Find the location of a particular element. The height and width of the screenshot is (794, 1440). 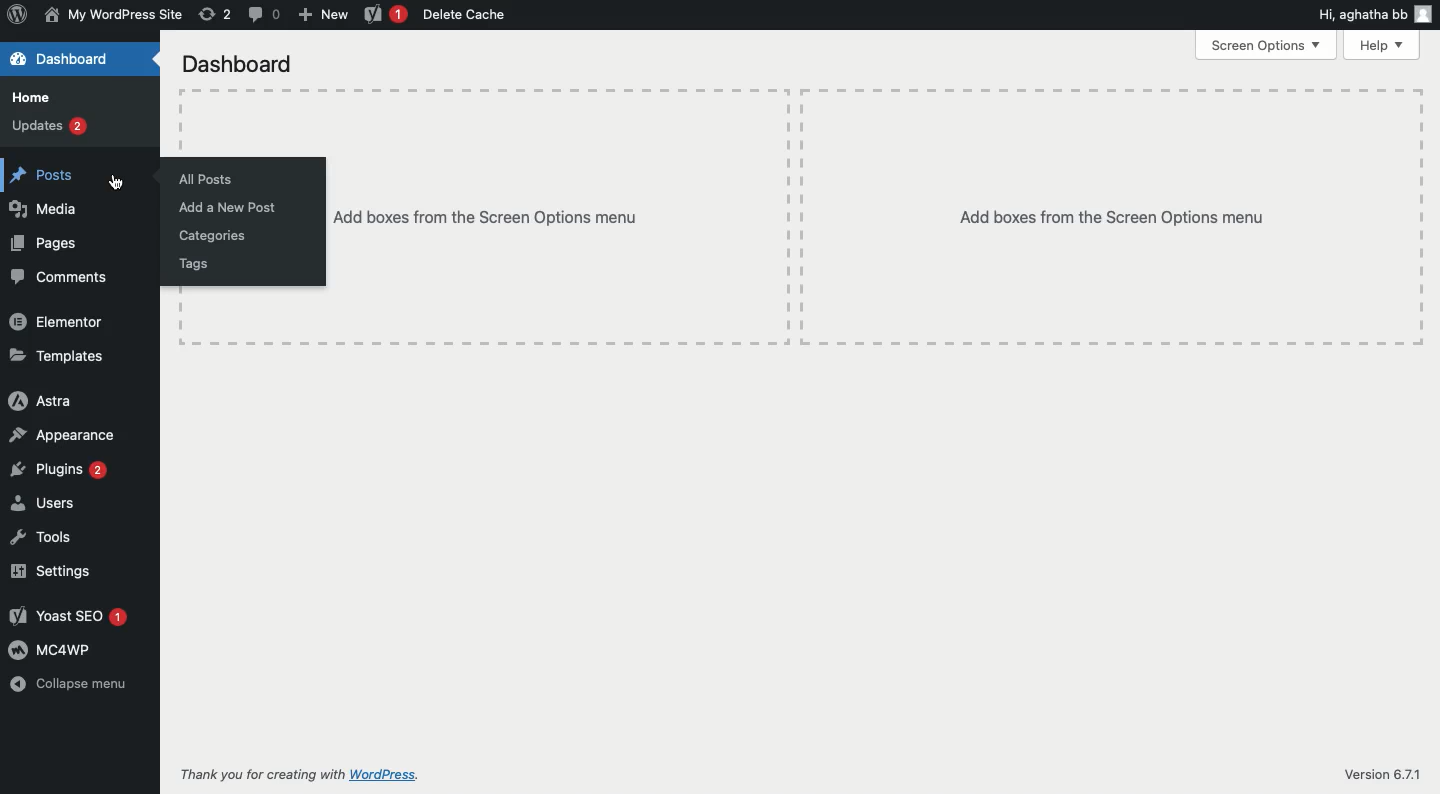

Settings is located at coordinates (57, 572).